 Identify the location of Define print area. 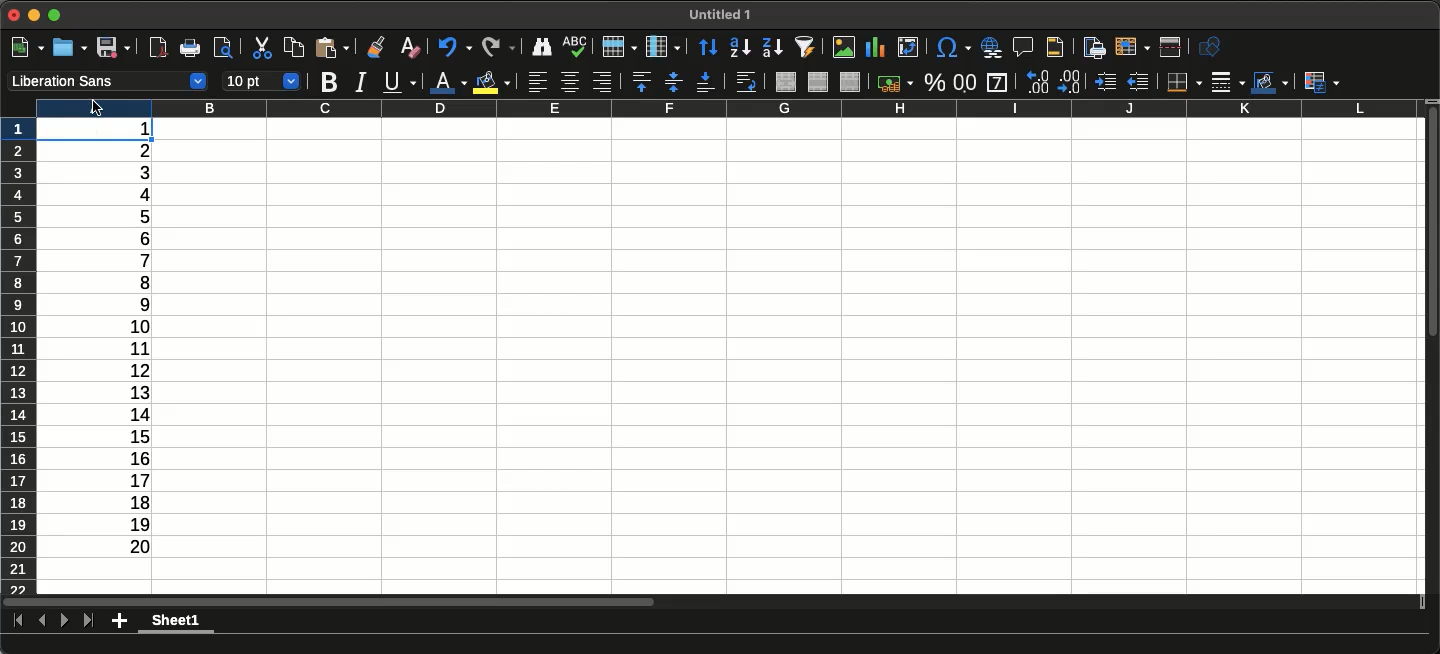
(1091, 47).